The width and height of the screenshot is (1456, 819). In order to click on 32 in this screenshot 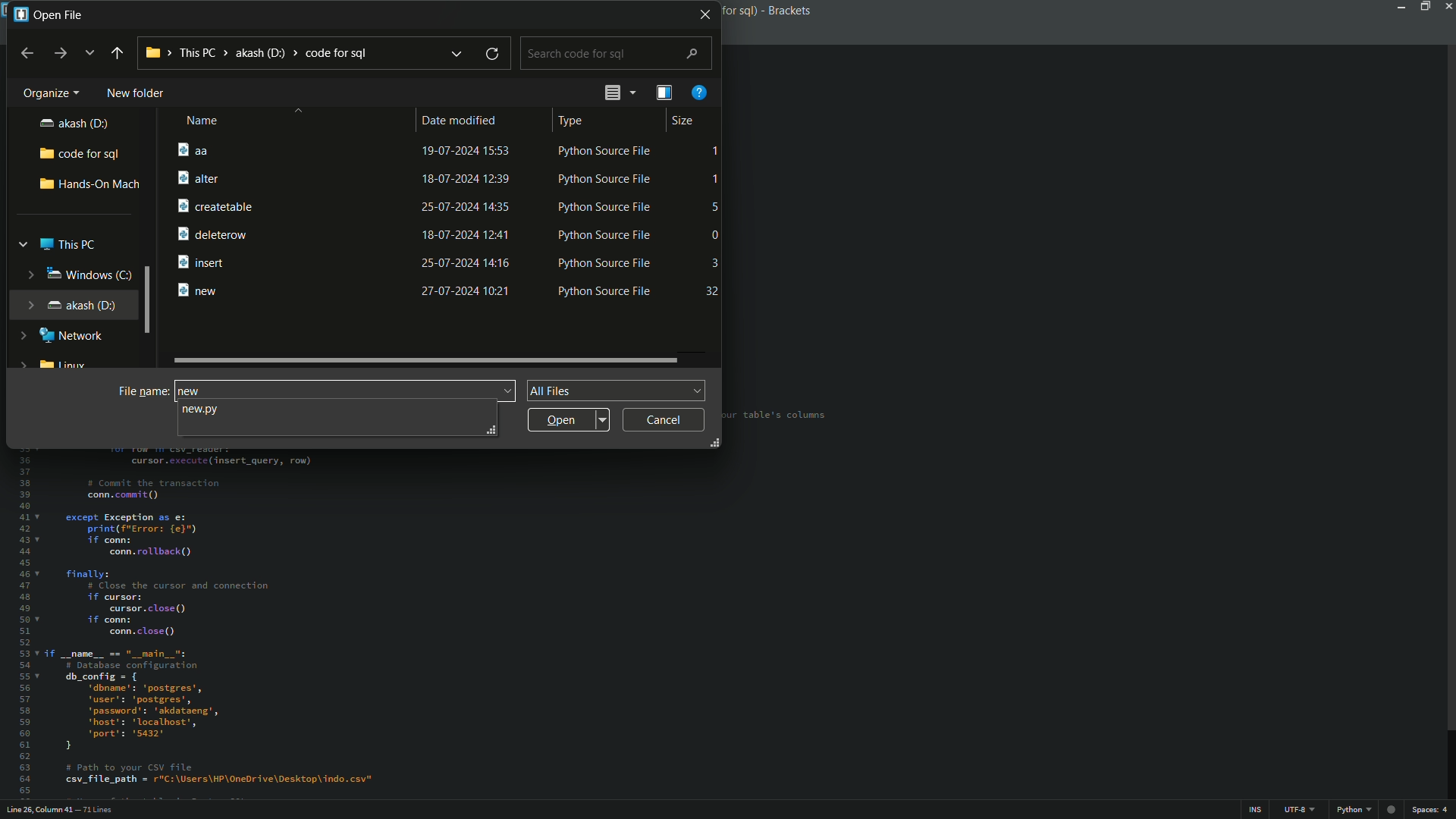, I will do `click(714, 290)`.